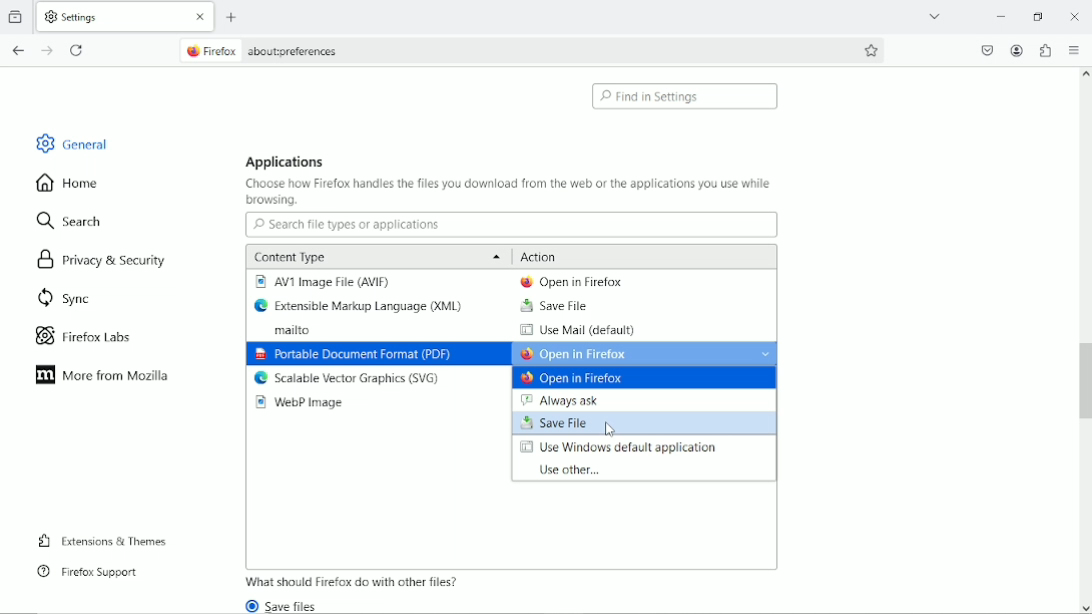 The image size is (1092, 614). Describe the element at coordinates (873, 50) in the screenshot. I see `Bookmark this page` at that location.